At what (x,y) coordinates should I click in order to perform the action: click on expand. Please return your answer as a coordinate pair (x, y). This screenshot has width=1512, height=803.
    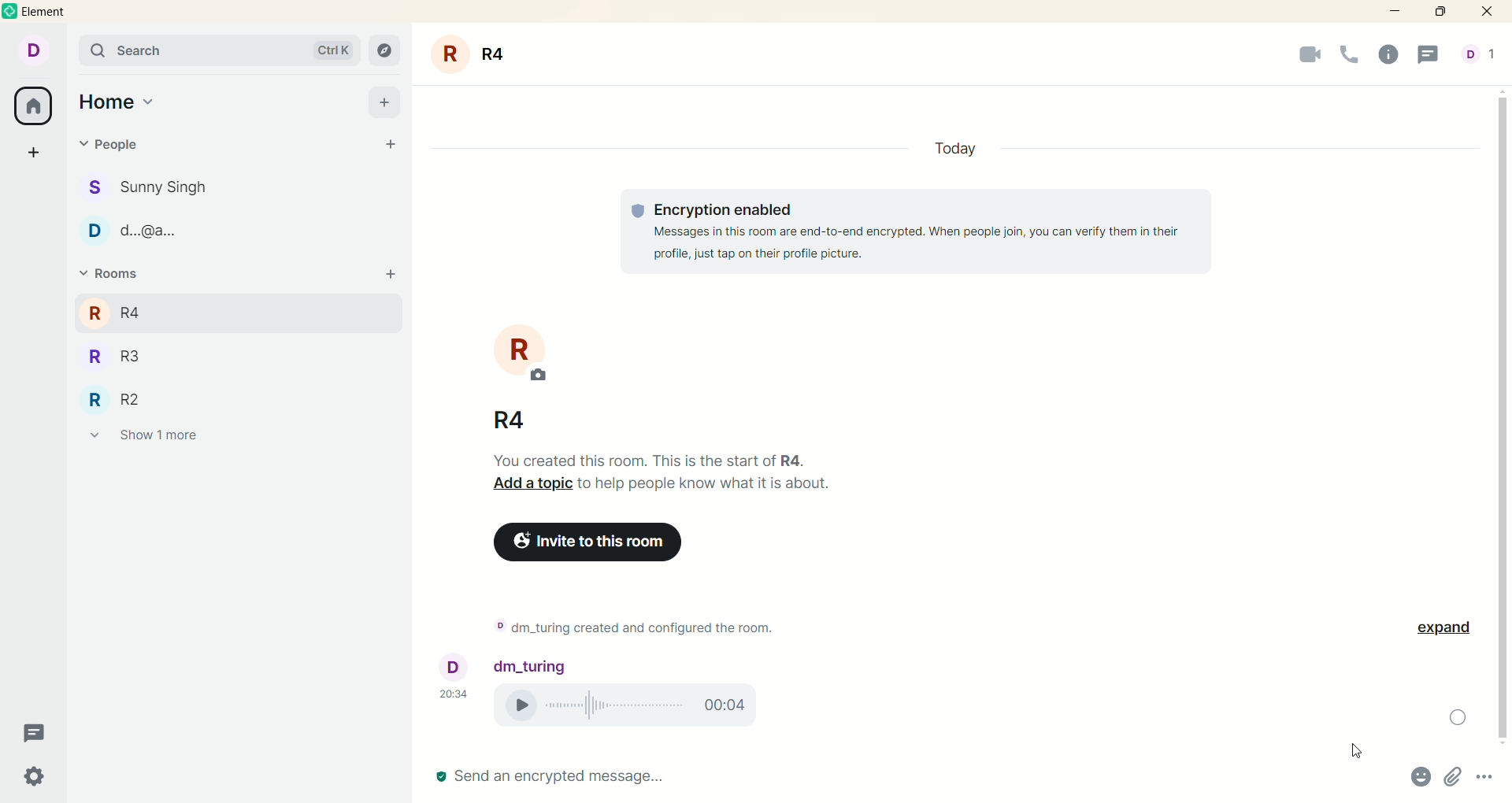
    Looking at the image, I should click on (1461, 718).